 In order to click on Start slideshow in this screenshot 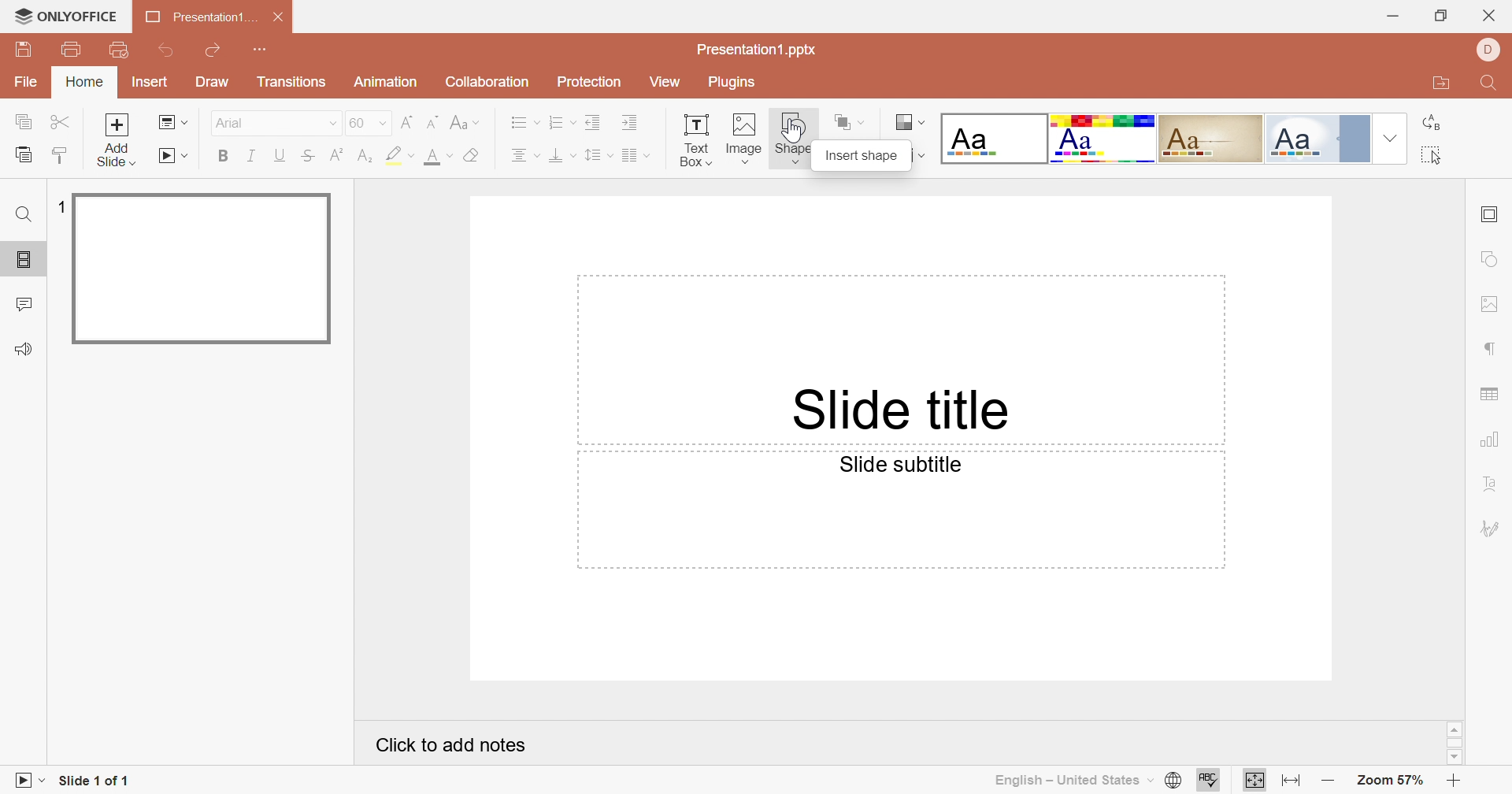, I will do `click(23, 781)`.